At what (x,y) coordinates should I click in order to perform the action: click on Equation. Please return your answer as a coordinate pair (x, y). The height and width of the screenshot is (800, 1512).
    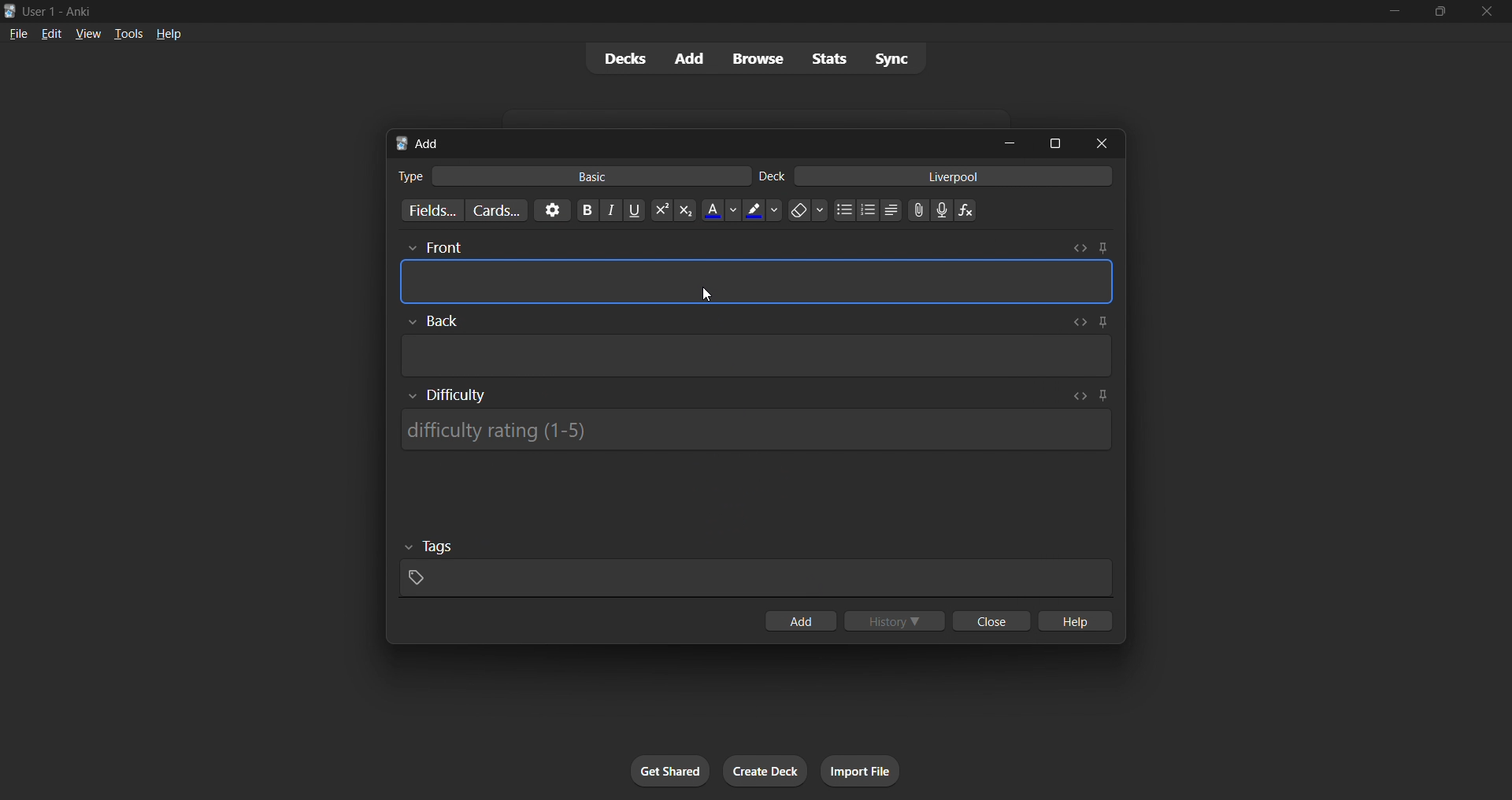
    Looking at the image, I should click on (965, 210).